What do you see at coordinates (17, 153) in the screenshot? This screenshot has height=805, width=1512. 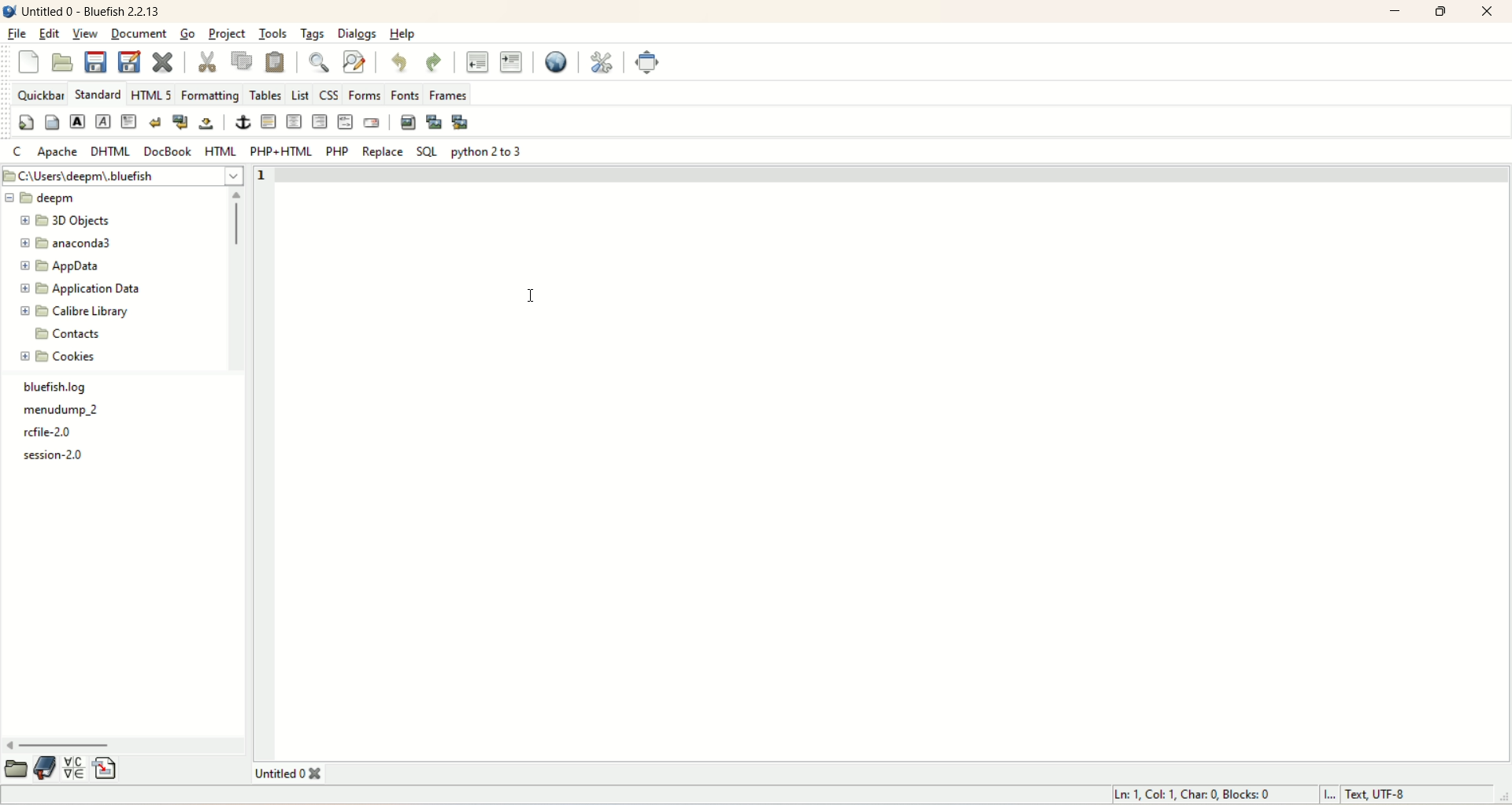 I see `C` at bounding box center [17, 153].